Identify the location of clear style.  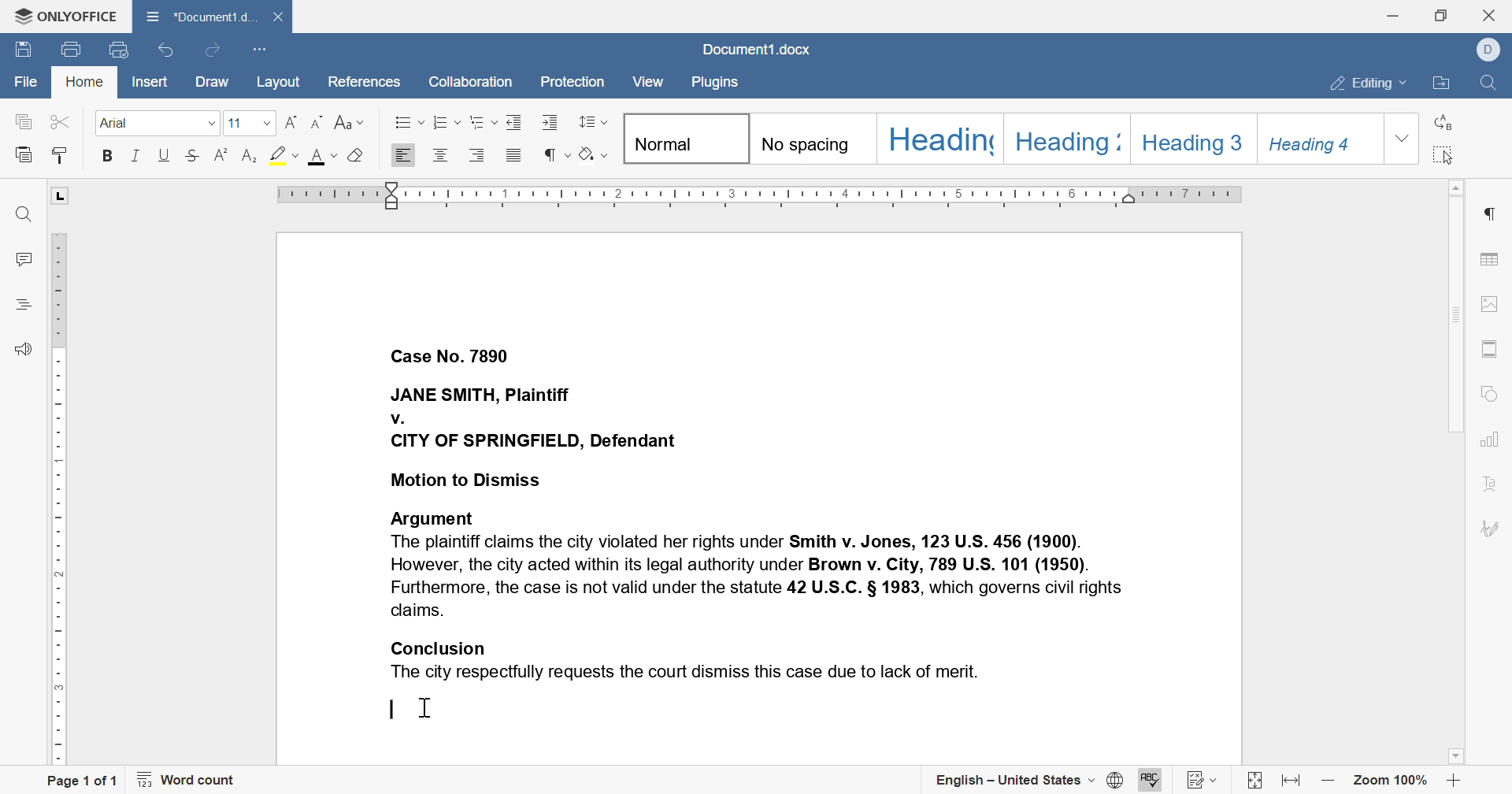
(358, 158).